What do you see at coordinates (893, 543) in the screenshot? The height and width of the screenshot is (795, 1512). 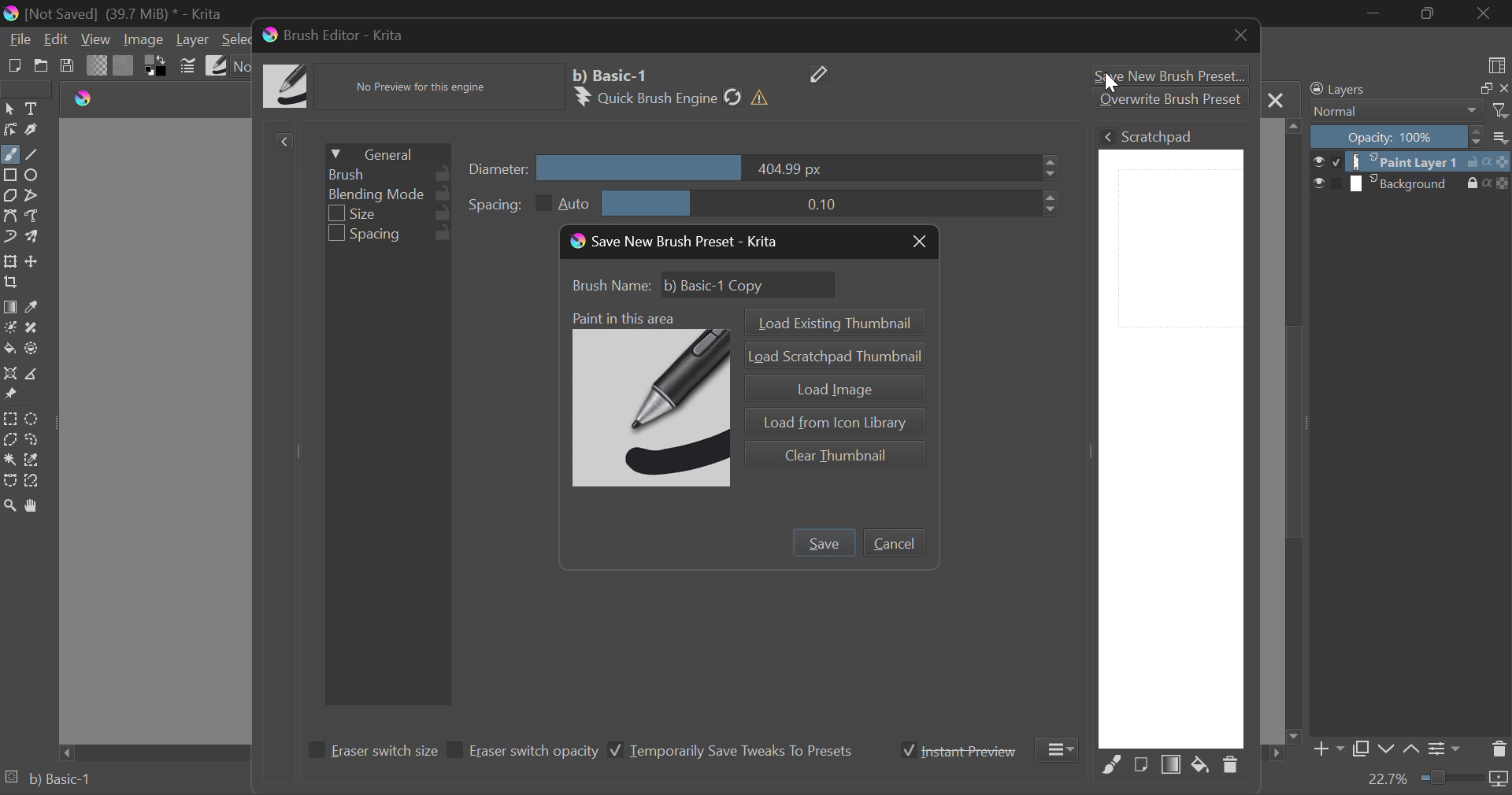 I see `Cancel` at bounding box center [893, 543].